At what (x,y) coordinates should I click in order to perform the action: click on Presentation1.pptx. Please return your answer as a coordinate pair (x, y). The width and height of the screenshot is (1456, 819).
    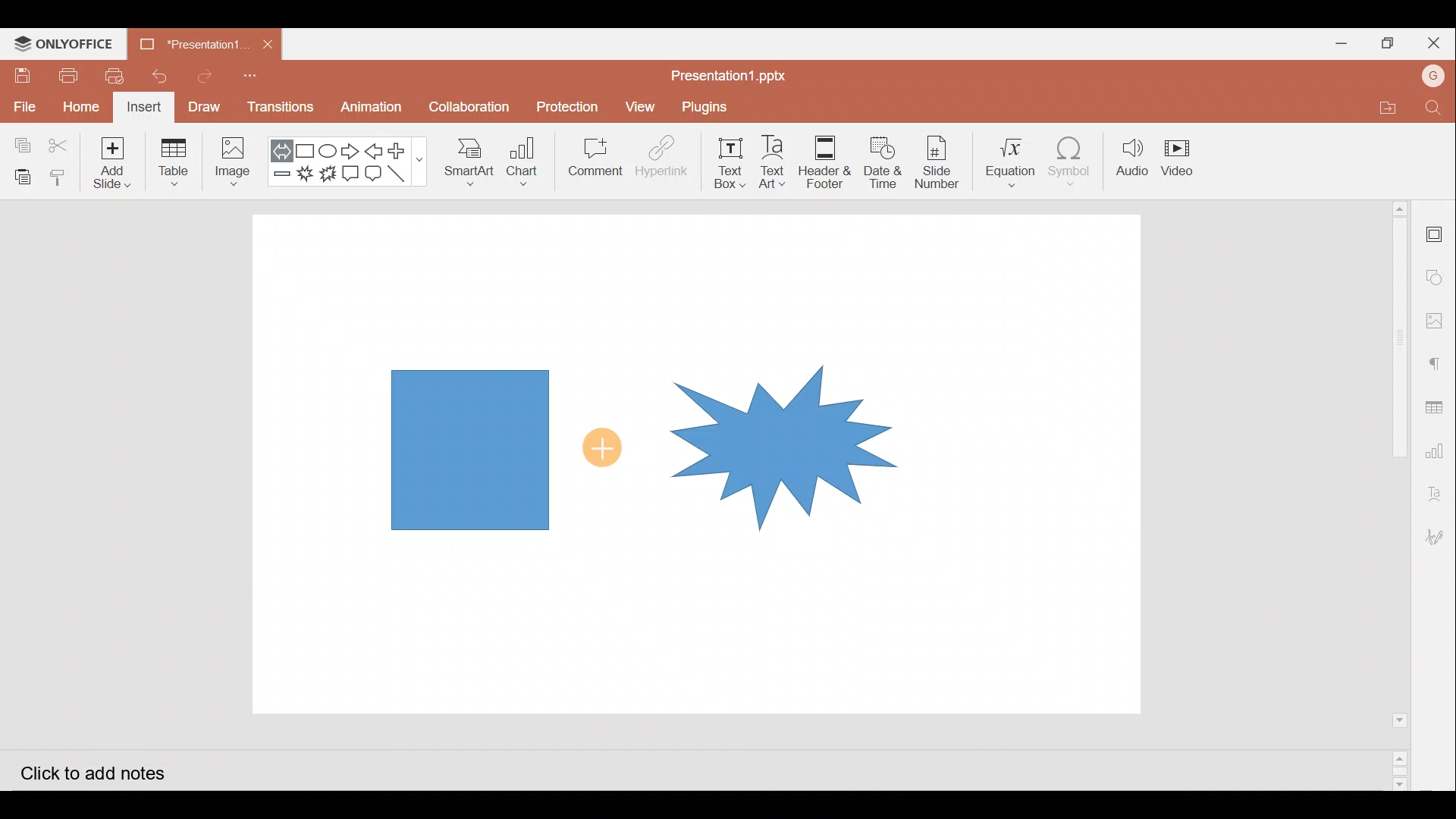
    Looking at the image, I should click on (729, 74).